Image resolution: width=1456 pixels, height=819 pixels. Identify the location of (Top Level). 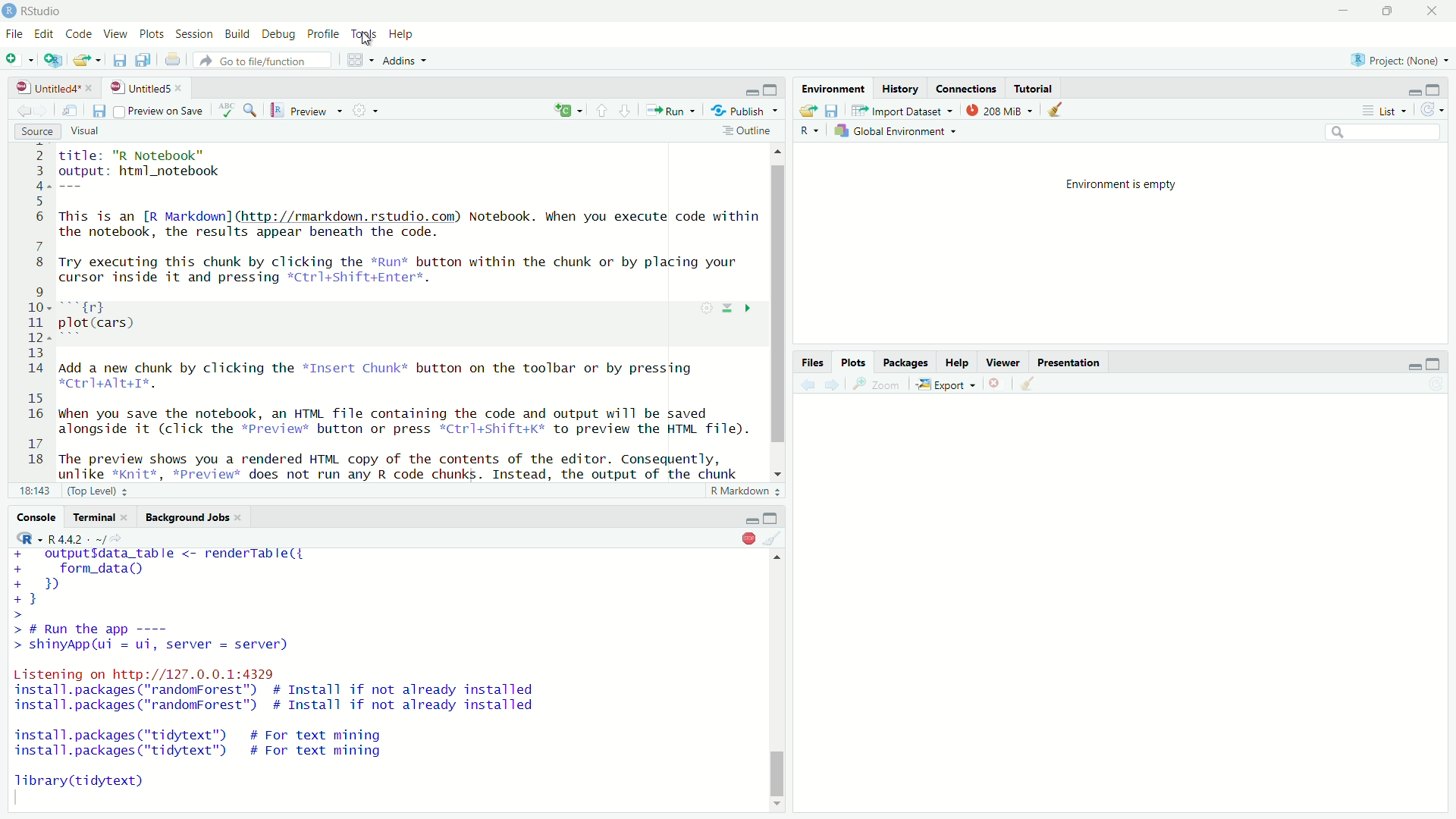
(100, 490).